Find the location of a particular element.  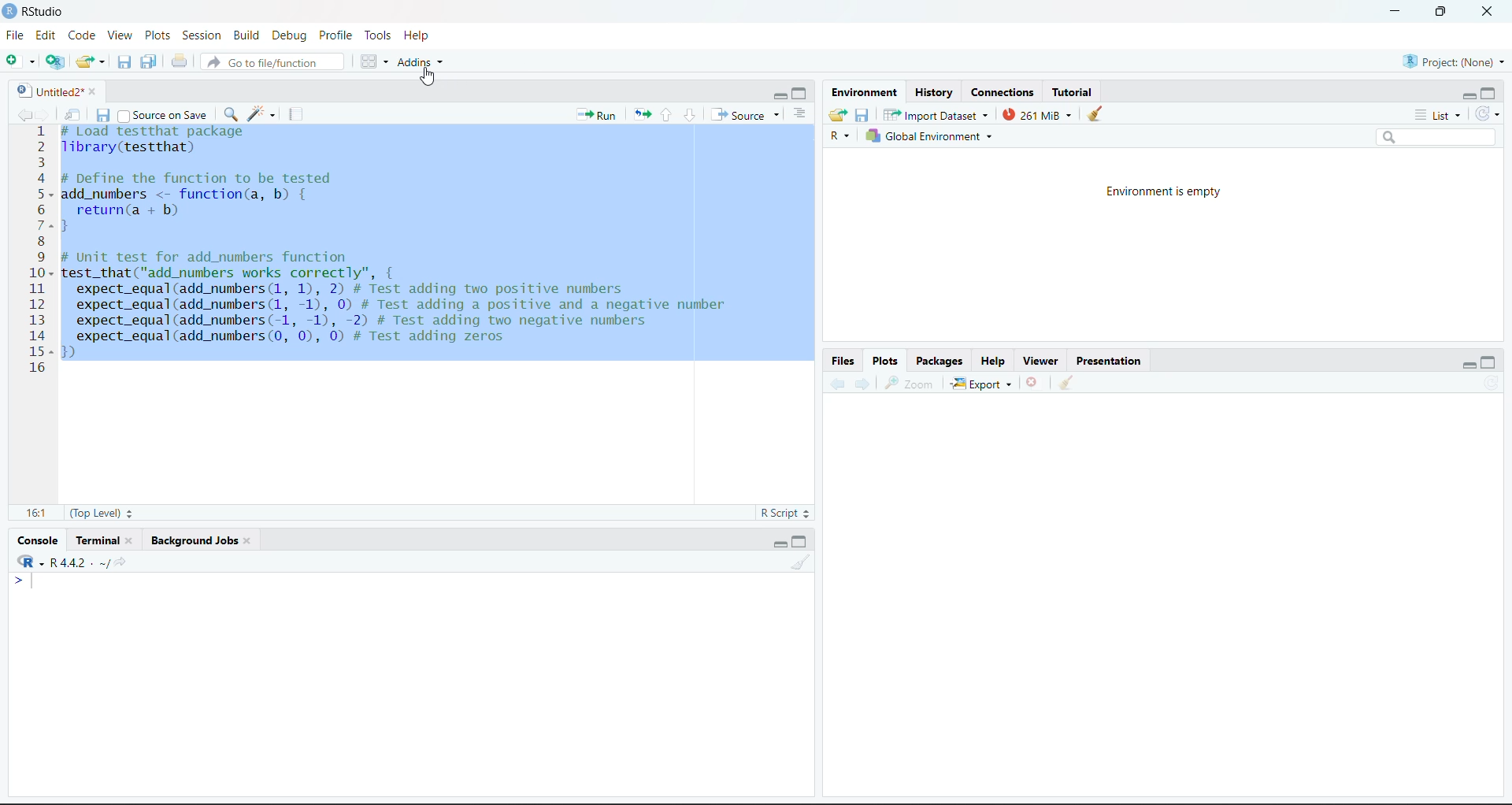

go forward is located at coordinates (46, 114).